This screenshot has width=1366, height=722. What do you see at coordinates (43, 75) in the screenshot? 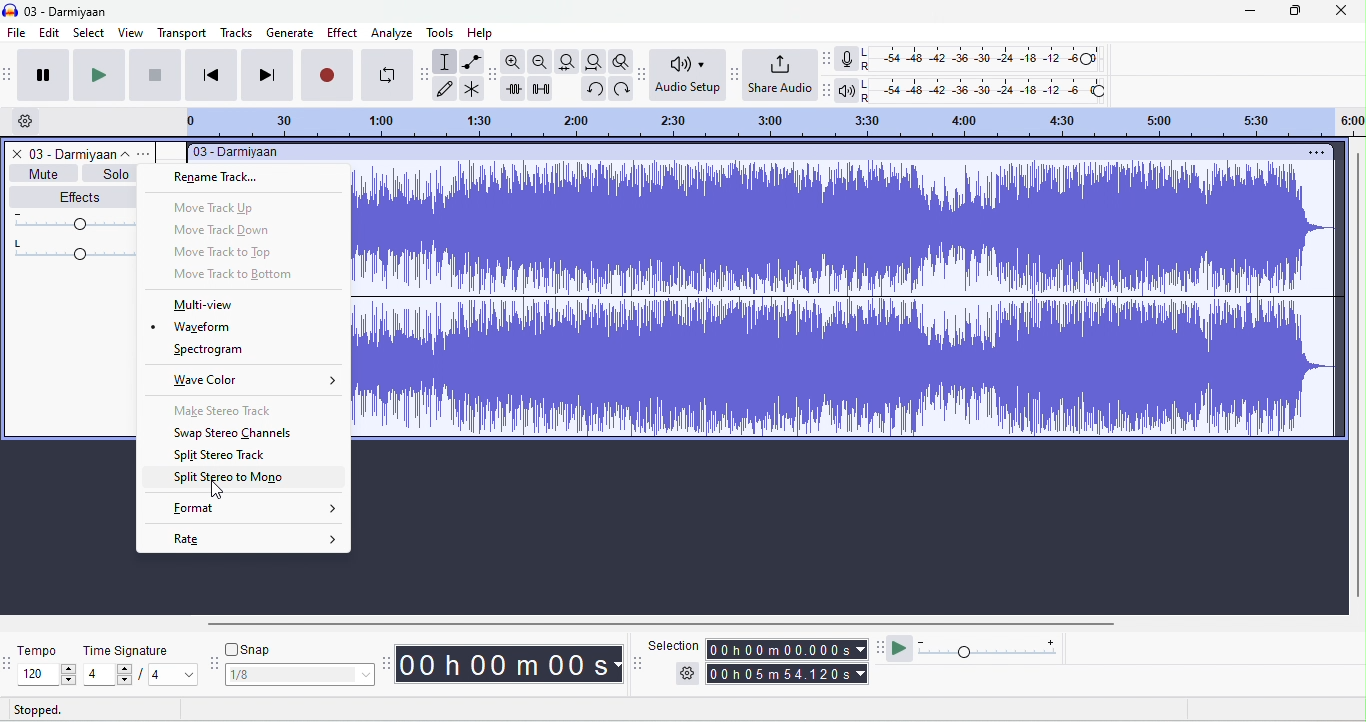
I see `pause` at bounding box center [43, 75].